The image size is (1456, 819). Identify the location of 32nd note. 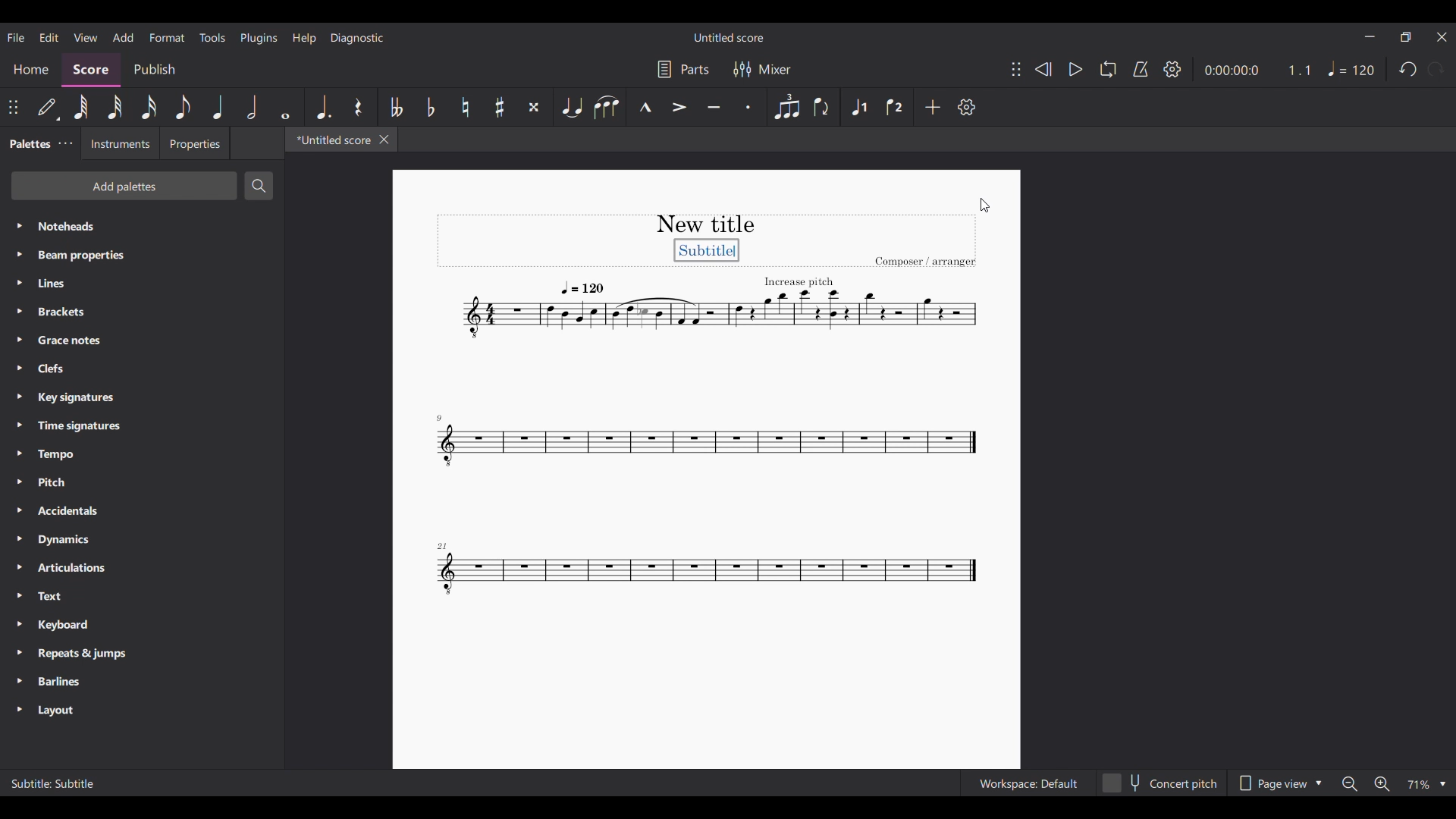
(115, 108).